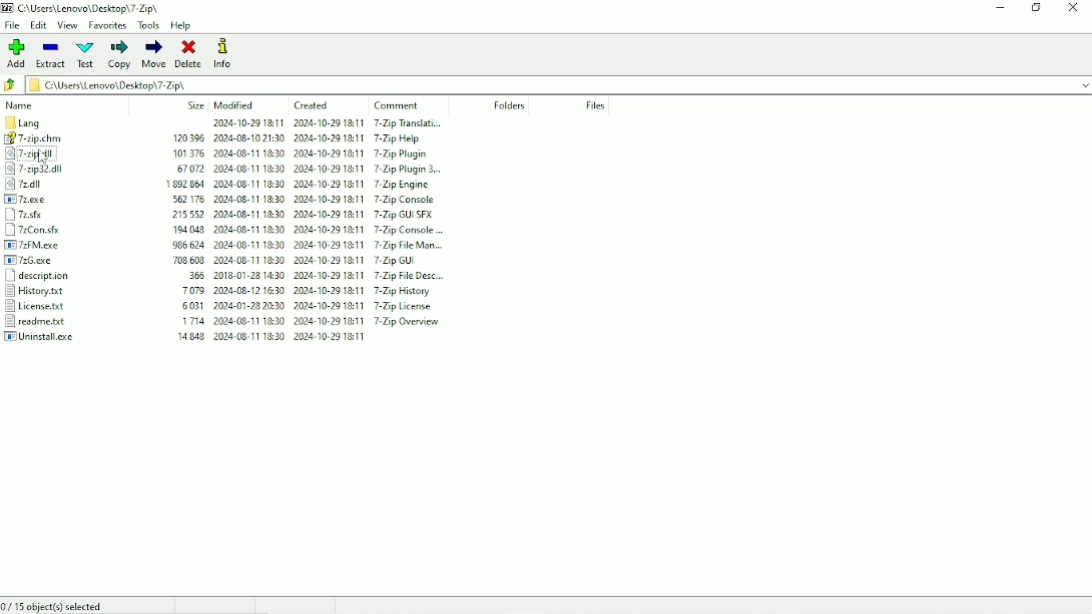 The height and width of the screenshot is (614, 1092). What do you see at coordinates (508, 106) in the screenshot?
I see `Folders` at bounding box center [508, 106].